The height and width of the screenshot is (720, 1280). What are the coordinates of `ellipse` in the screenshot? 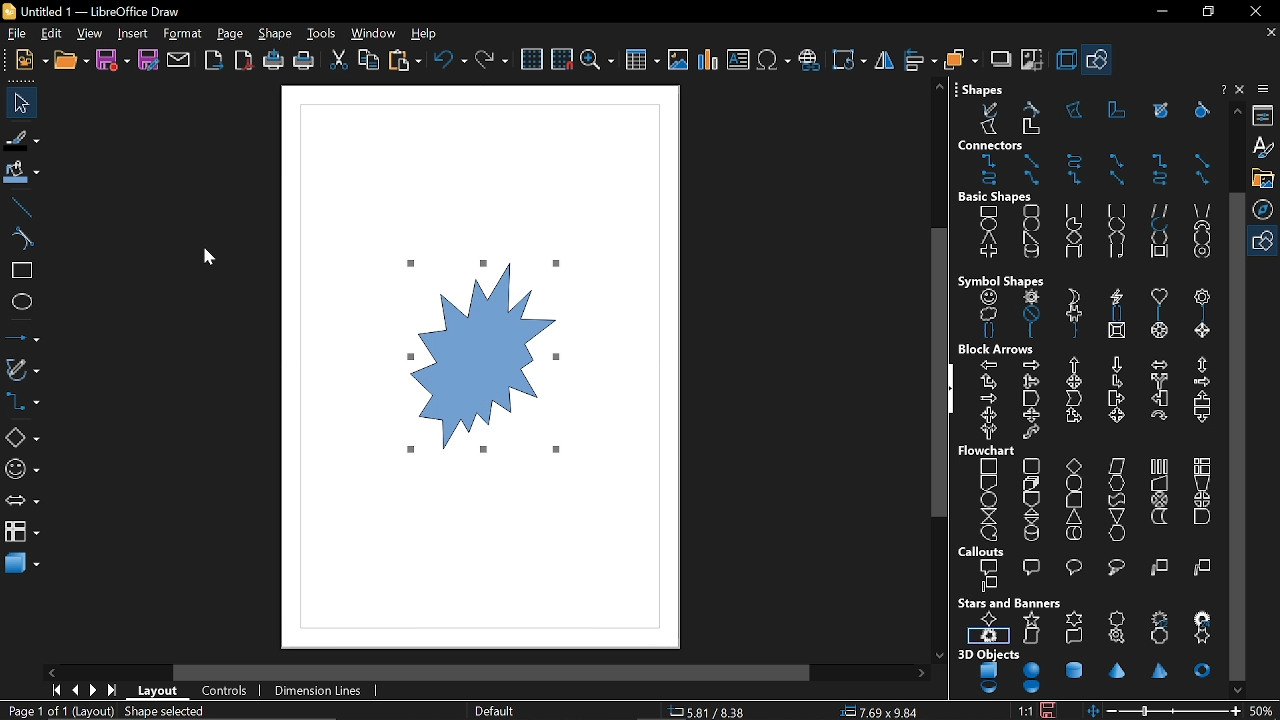 It's located at (19, 300).